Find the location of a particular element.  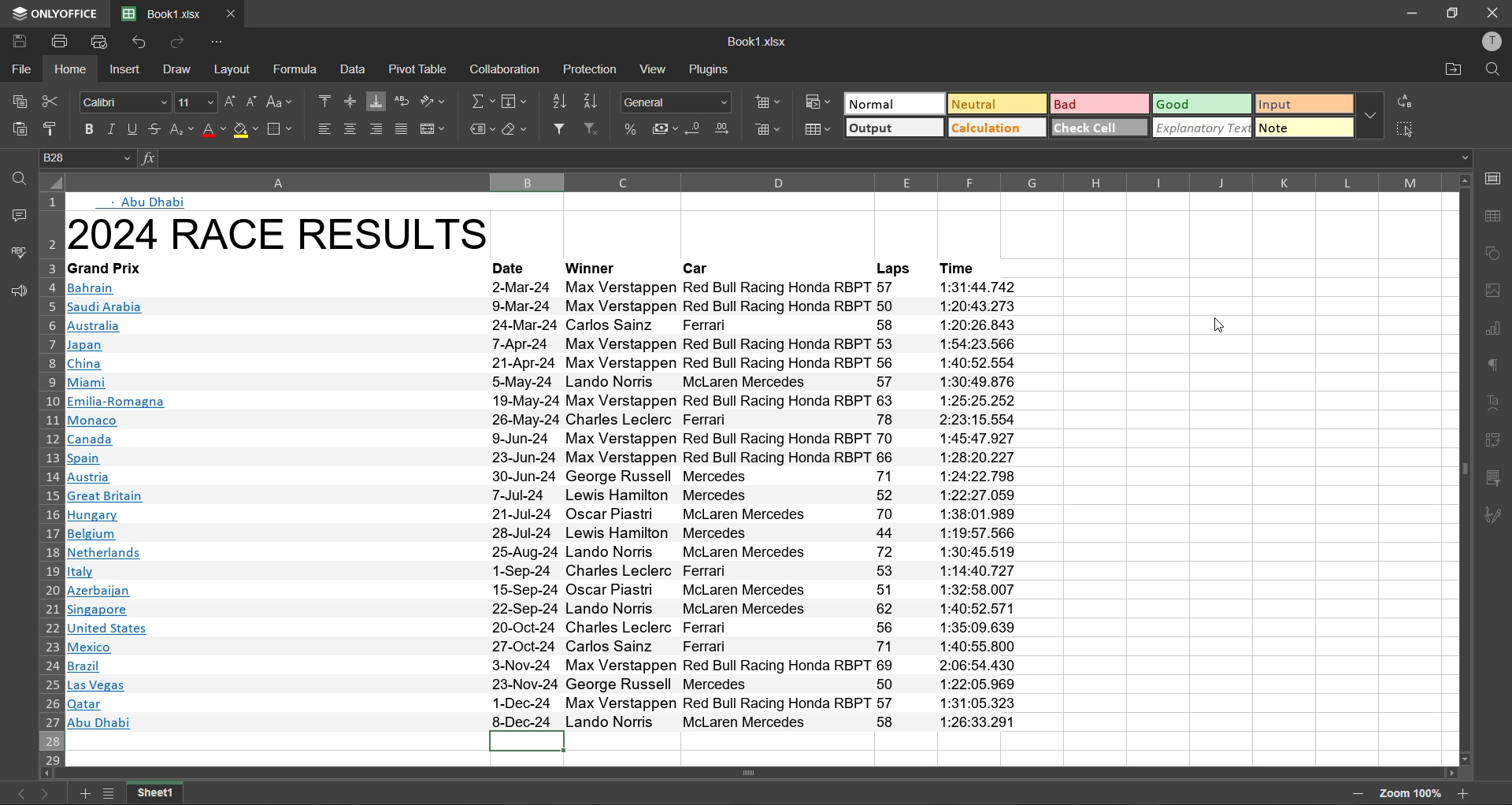

pivot table is located at coordinates (424, 69).